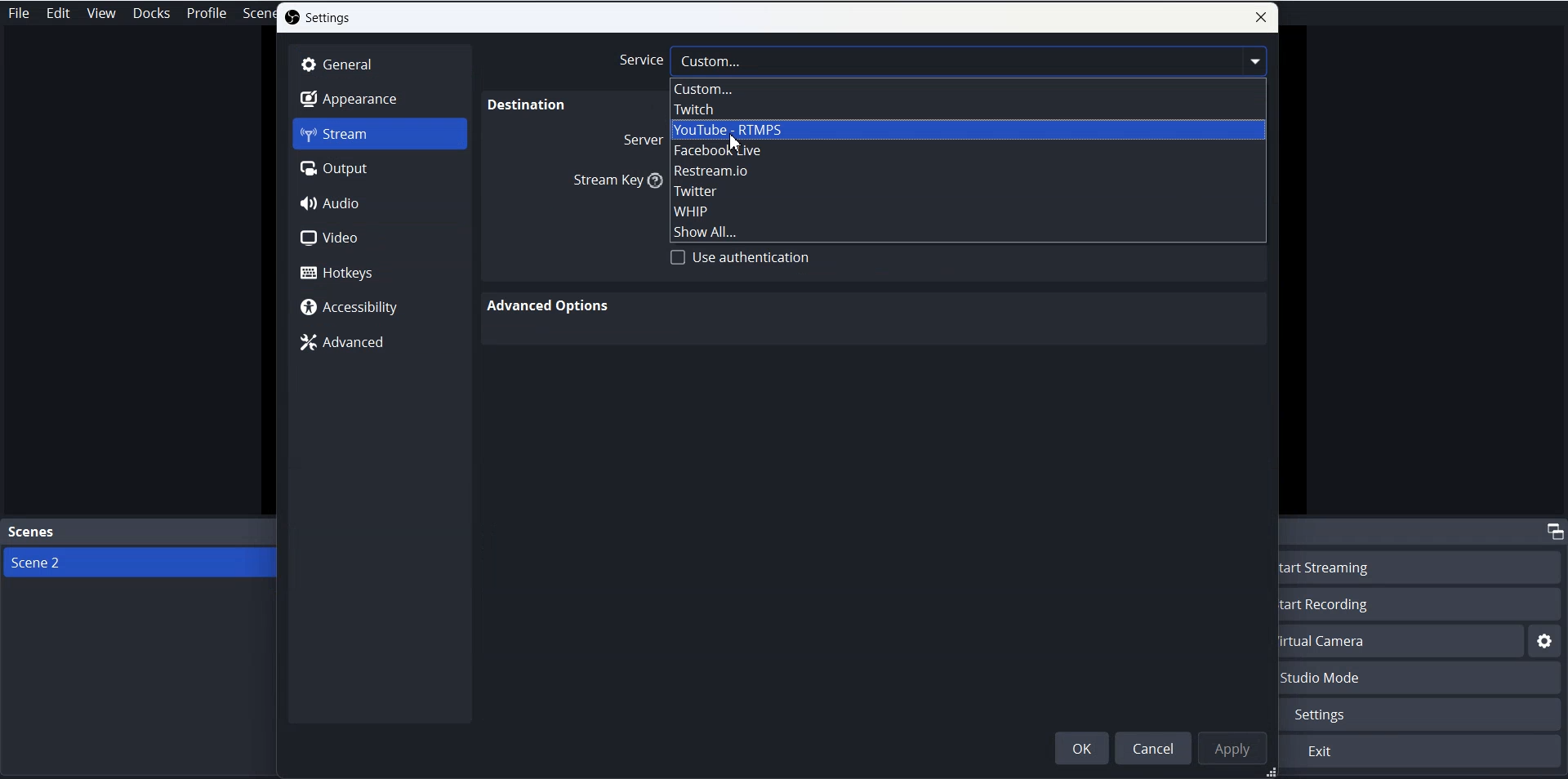  What do you see at coordinates (1545, 642) in the screenshot?
I see `settings` at bounding box center [1545, 642].